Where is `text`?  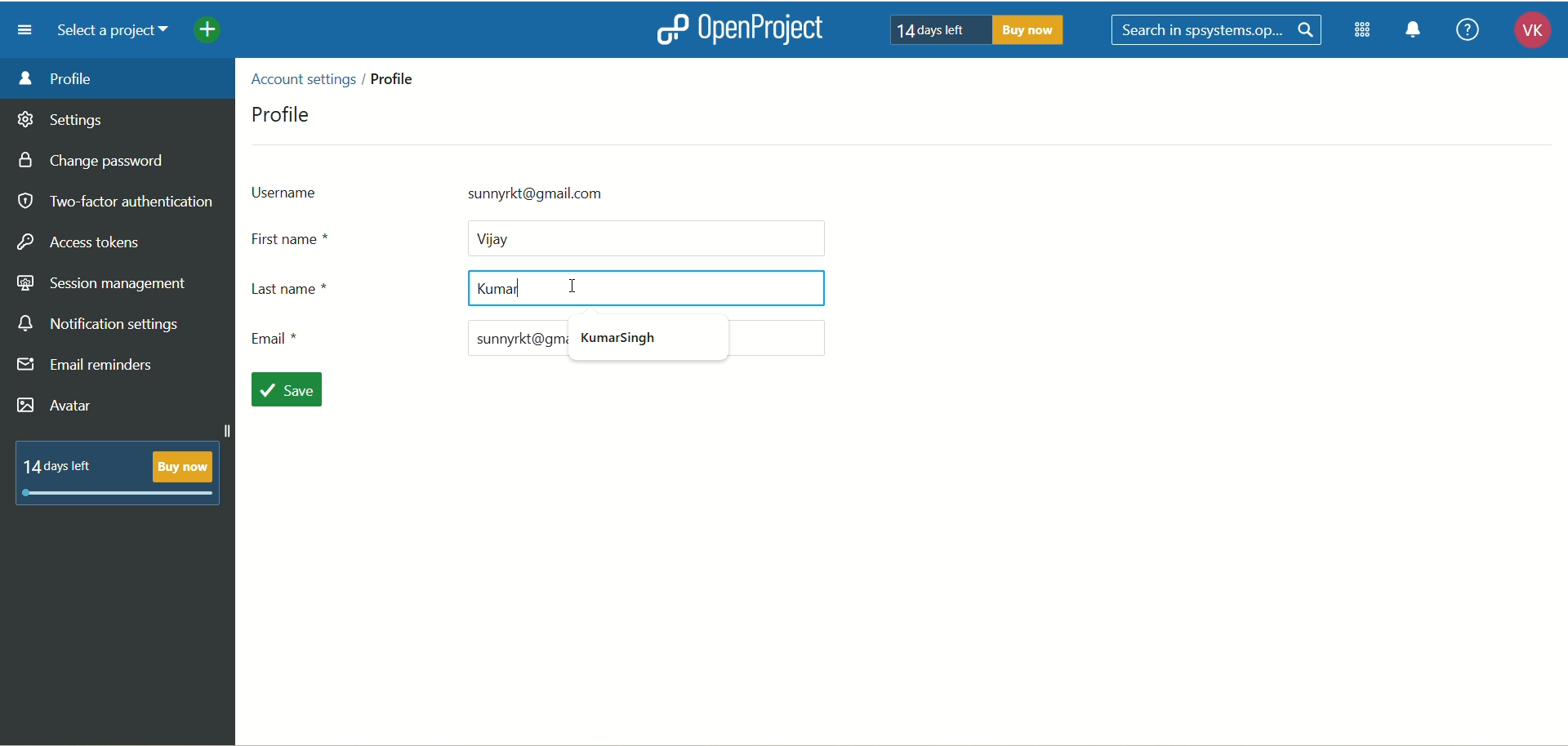 text is located at coordinates (979, 30).